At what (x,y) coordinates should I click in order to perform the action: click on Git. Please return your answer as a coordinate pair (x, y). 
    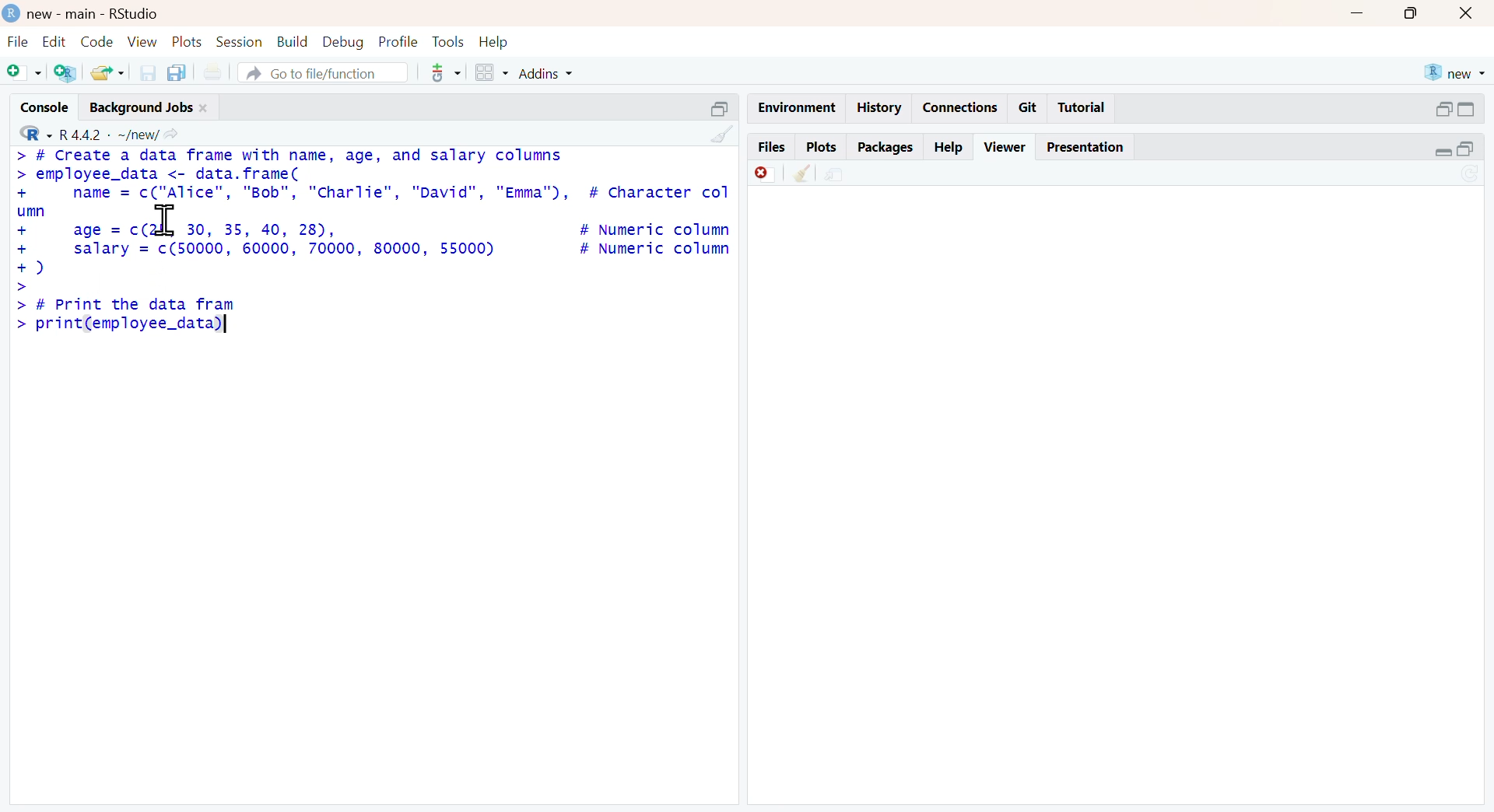
    Looking at the image, I should click on (1029, 107).